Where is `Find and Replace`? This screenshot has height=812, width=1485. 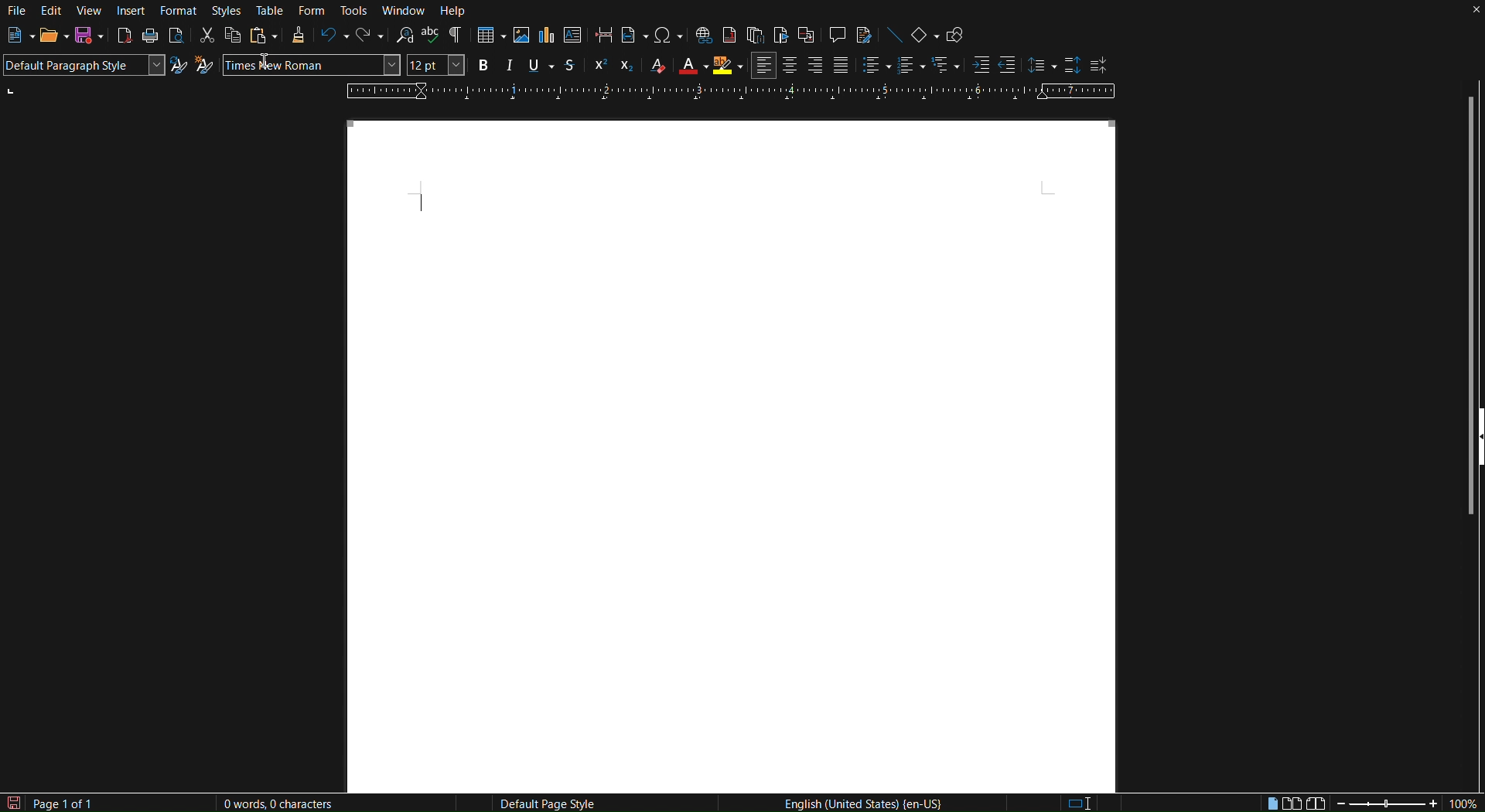 Find and Replace is located at coordinates (404, 38).